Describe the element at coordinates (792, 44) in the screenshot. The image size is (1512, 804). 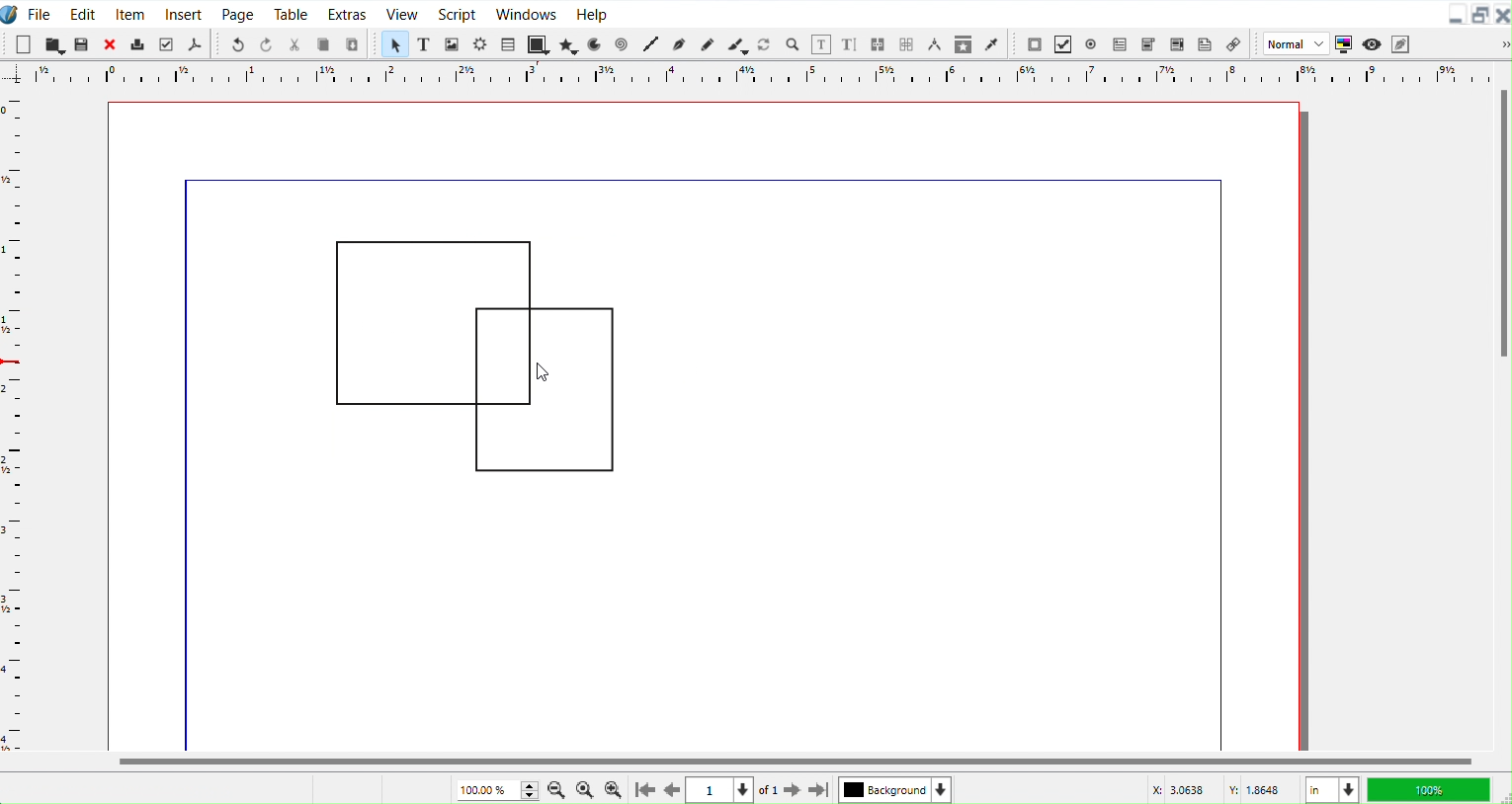
I see `Zoom in or Out` at that location.